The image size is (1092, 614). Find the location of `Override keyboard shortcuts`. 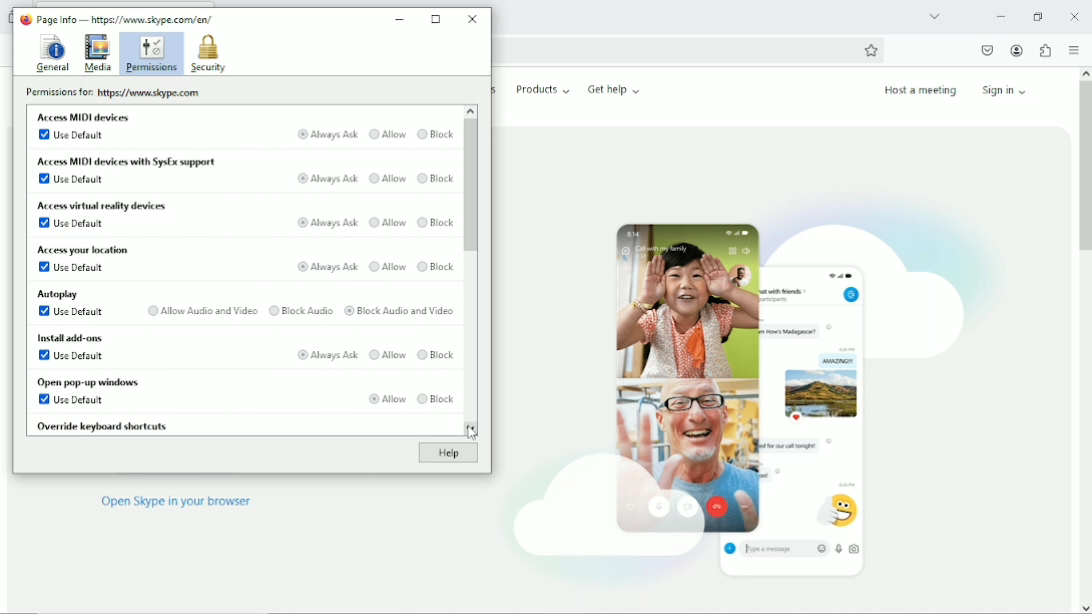

Override keyboard shortcuts is located at coordinates (104, 426).